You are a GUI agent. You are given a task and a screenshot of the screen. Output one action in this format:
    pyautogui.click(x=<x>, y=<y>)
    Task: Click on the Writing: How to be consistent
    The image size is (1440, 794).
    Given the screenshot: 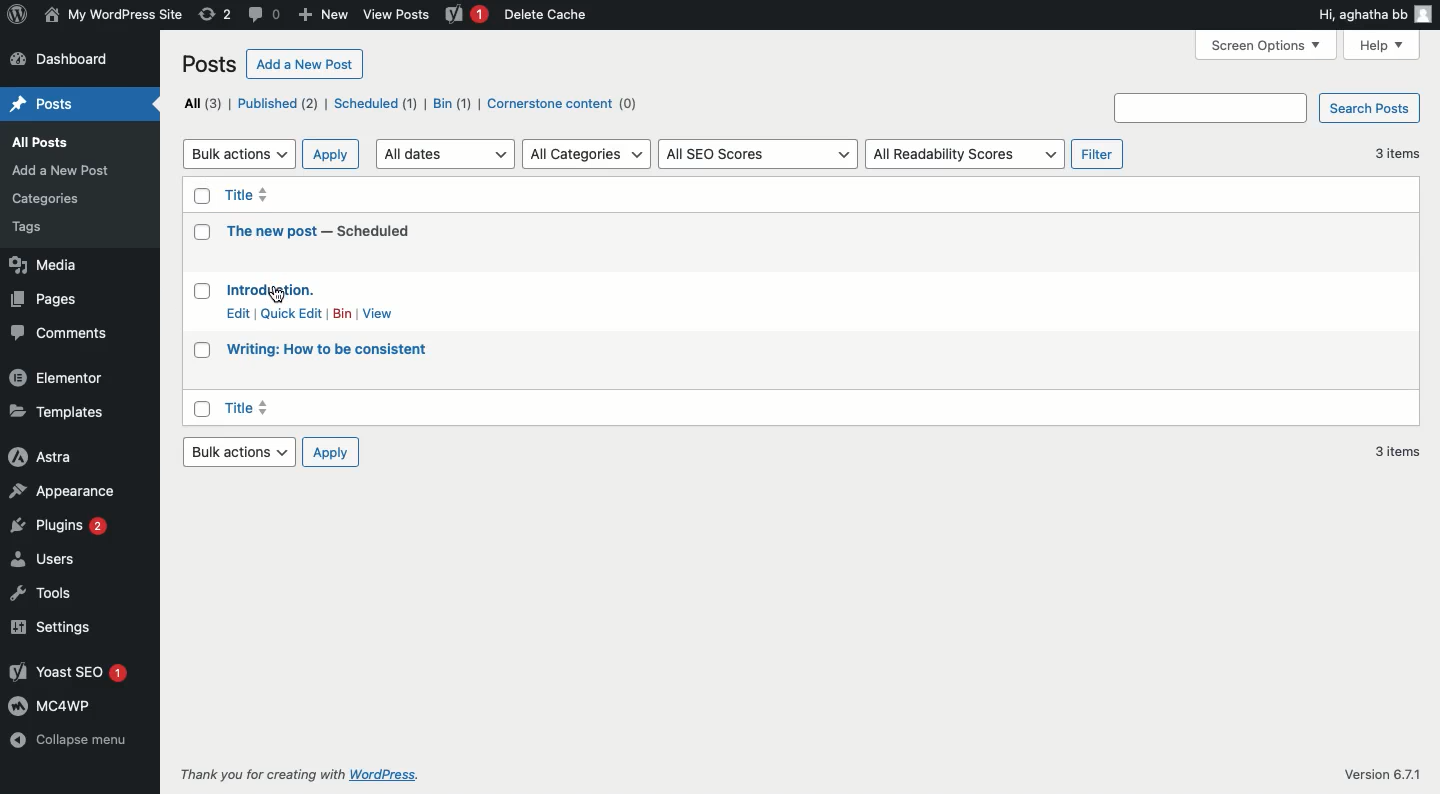 What is the action you would take?
    pyautogui.click(x=328, y=348)
    